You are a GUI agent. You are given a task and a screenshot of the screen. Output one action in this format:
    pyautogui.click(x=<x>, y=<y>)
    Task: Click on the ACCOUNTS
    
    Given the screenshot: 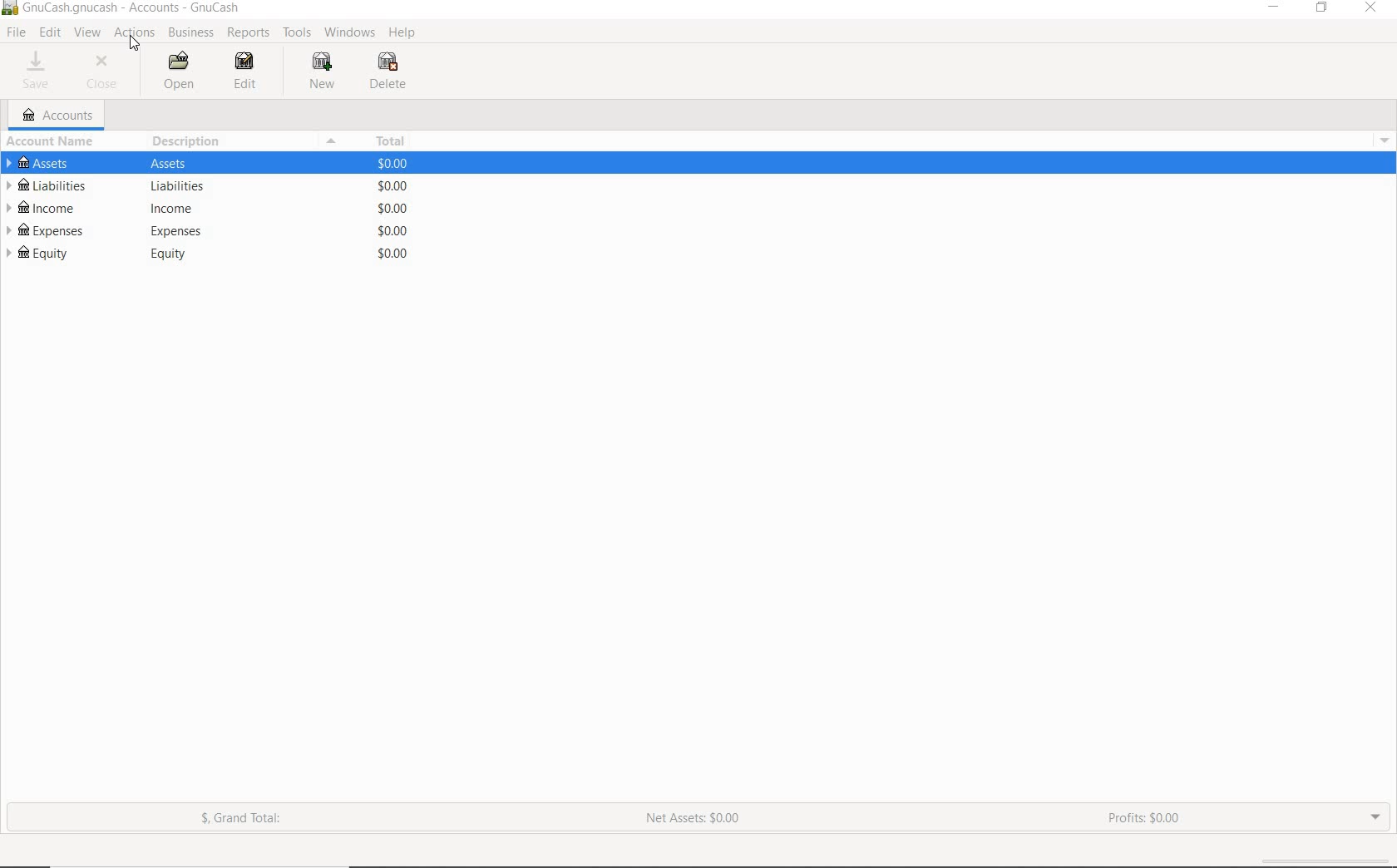 What is the action you would take?
    pyautogui.click(x=58, y=115)
    